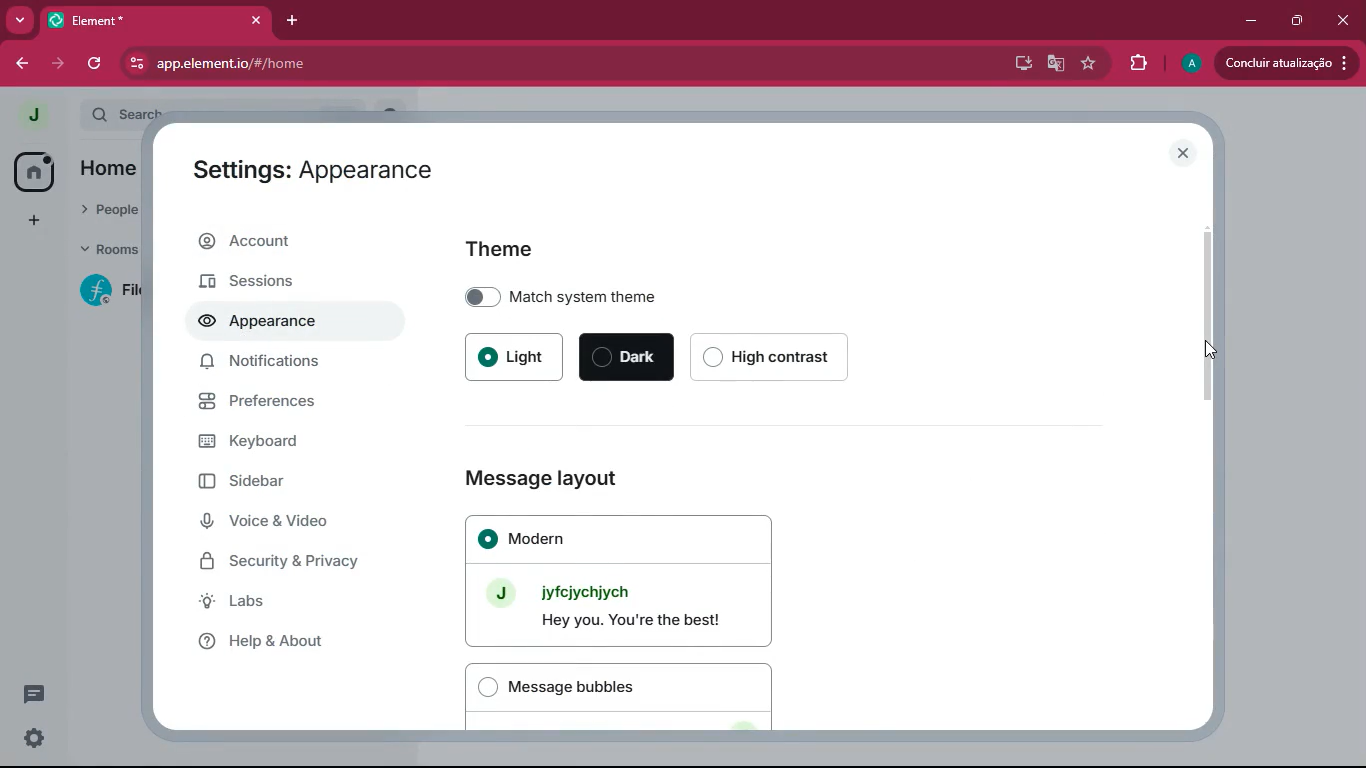  I want to click on Cursor, so click(1207, 348).